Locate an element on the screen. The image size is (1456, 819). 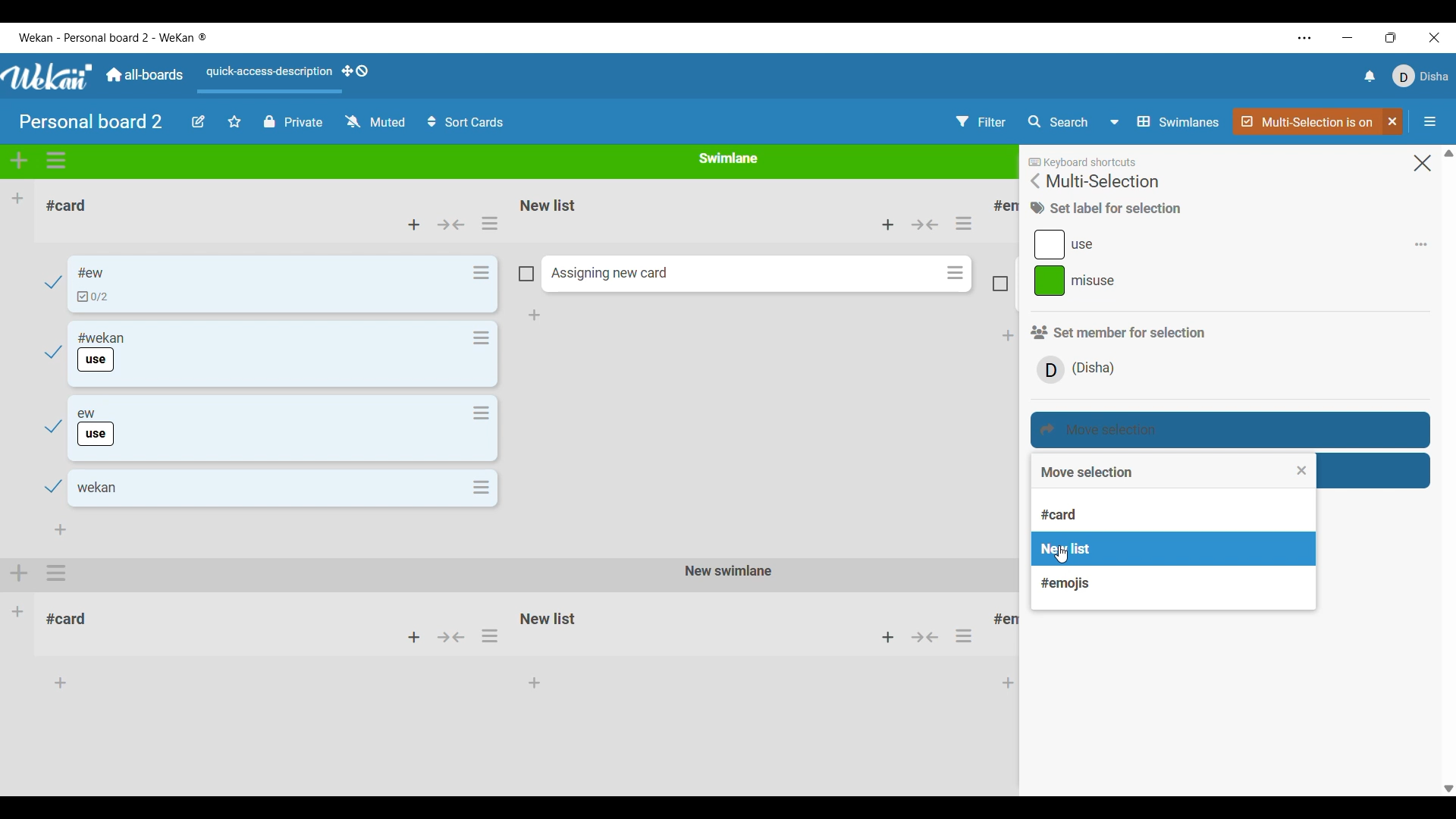
Notifications is located at coordinates (1371, 76).